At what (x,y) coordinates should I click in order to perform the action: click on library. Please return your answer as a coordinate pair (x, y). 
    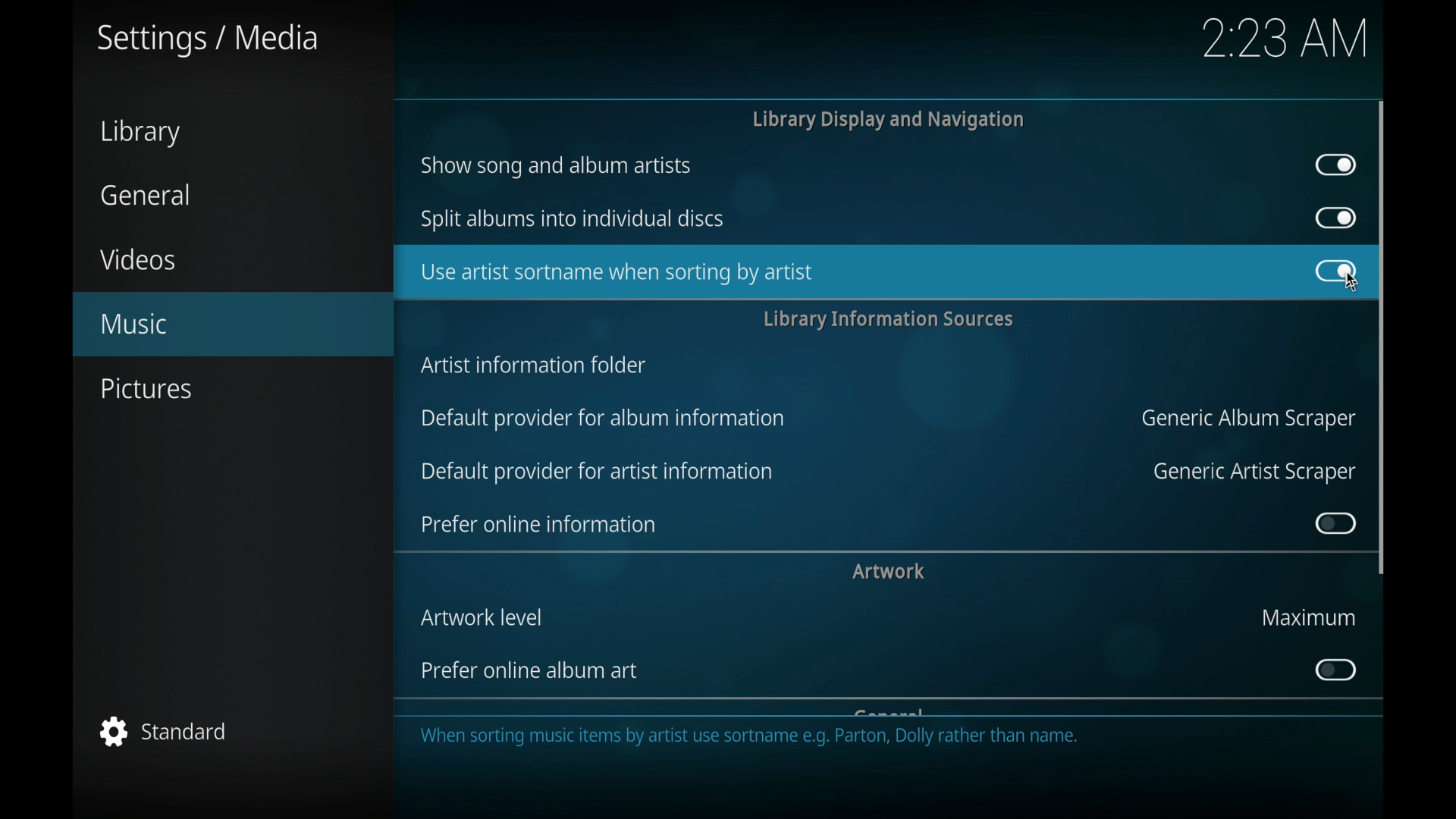
    Looking at the image, I should click on (140, 133).